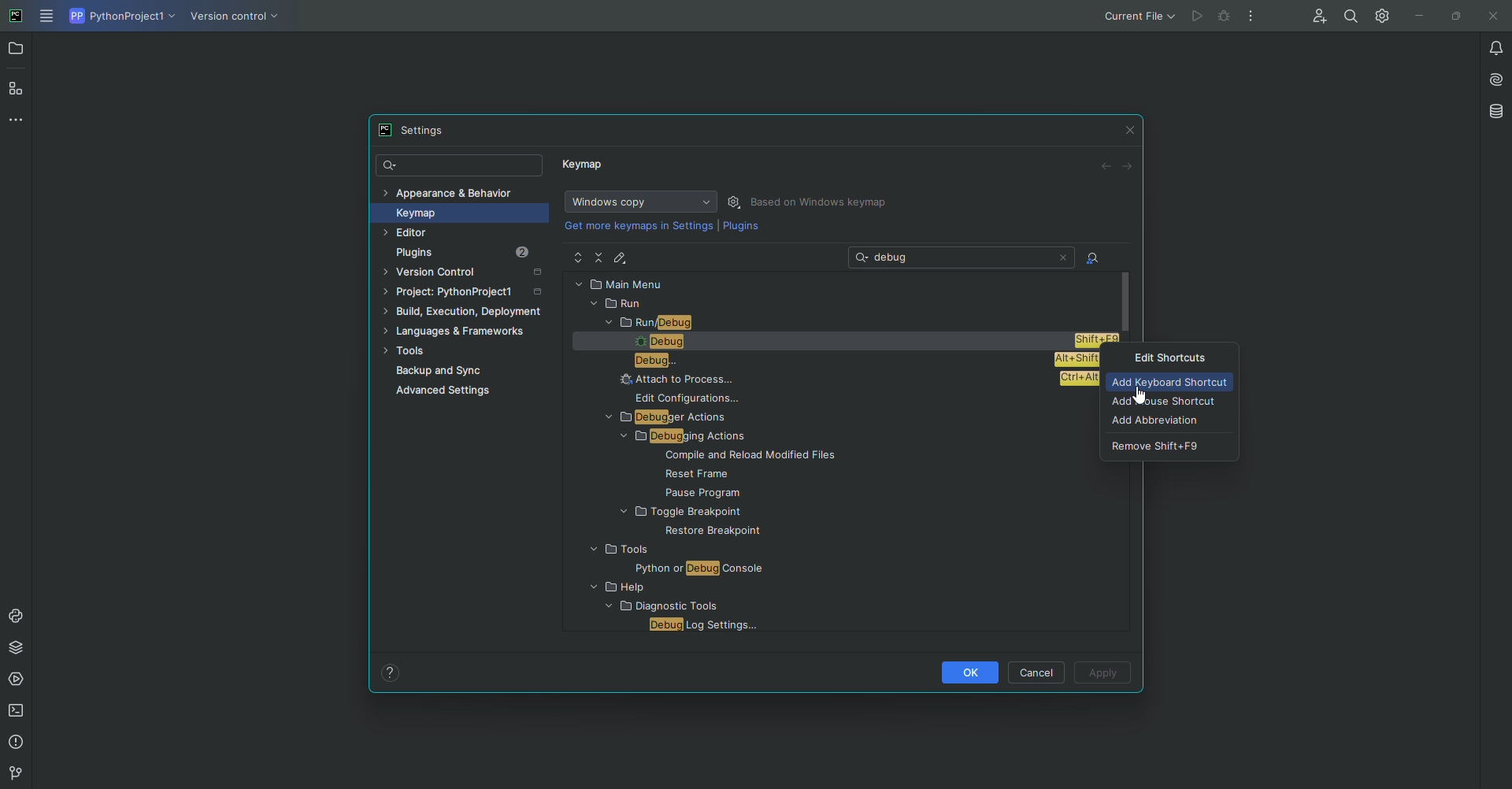 This screenshot has height=789, width=1512. I want to click on shortcut, so click(1098, 339).